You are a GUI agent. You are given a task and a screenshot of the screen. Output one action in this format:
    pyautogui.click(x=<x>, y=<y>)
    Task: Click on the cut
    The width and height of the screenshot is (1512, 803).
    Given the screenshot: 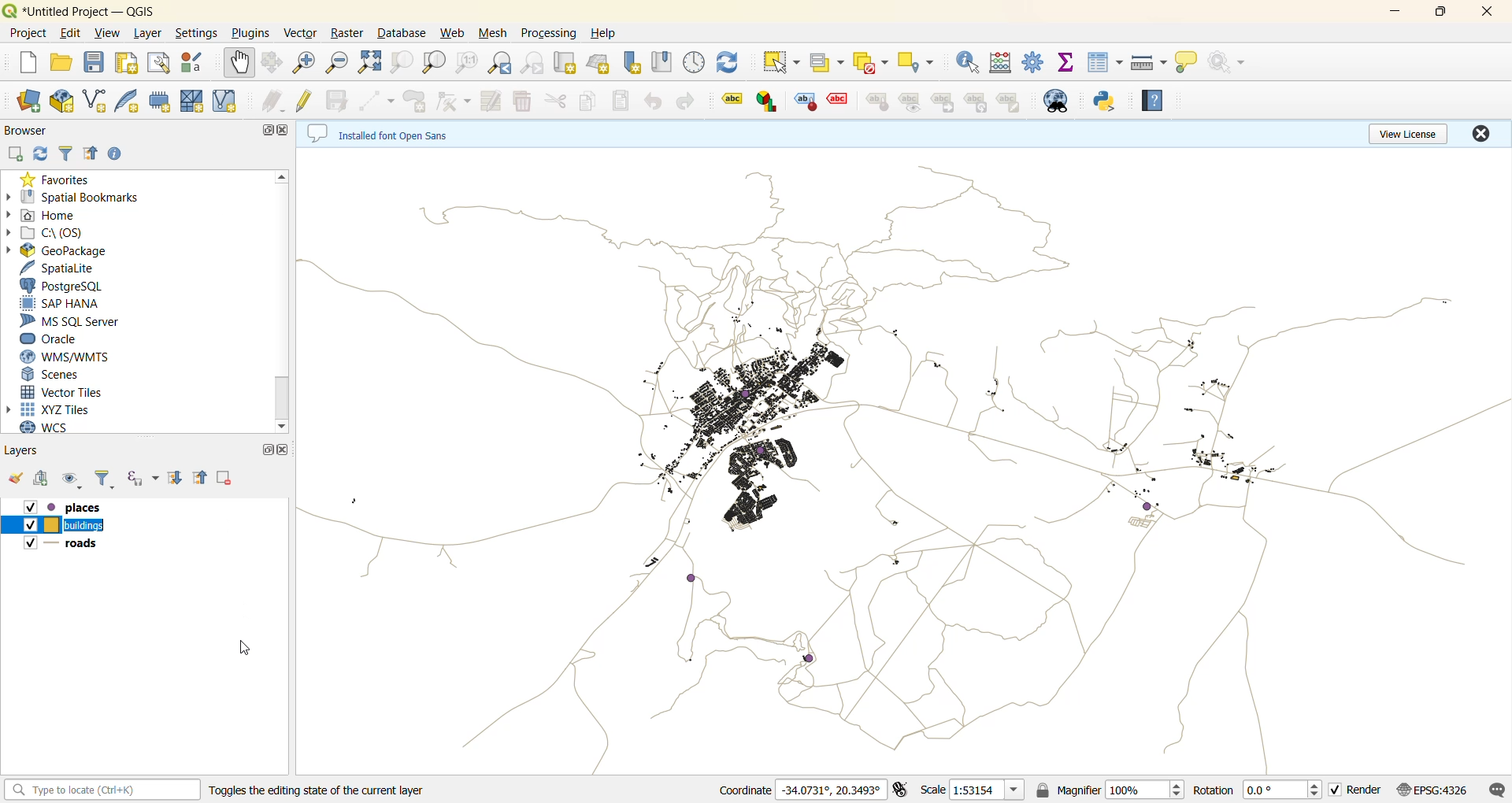 What is the action you would take?
    pyautogui.click(x=554, y=100)
    